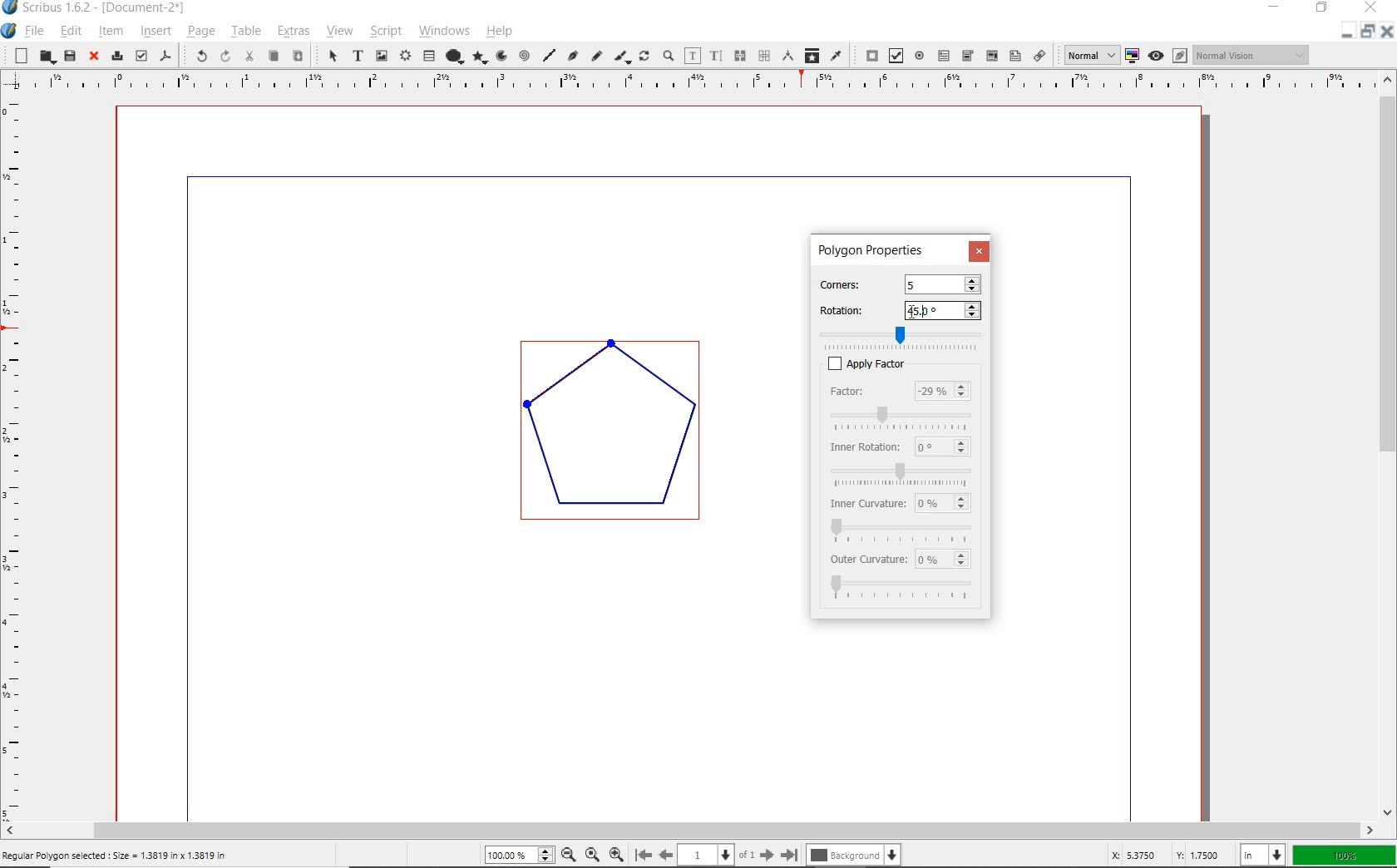 This screenshot has width=1397, height=868. What do you see at coordinates (405, 54) in the screenshot?
I see `render frame` at bounding box center [405, 54].